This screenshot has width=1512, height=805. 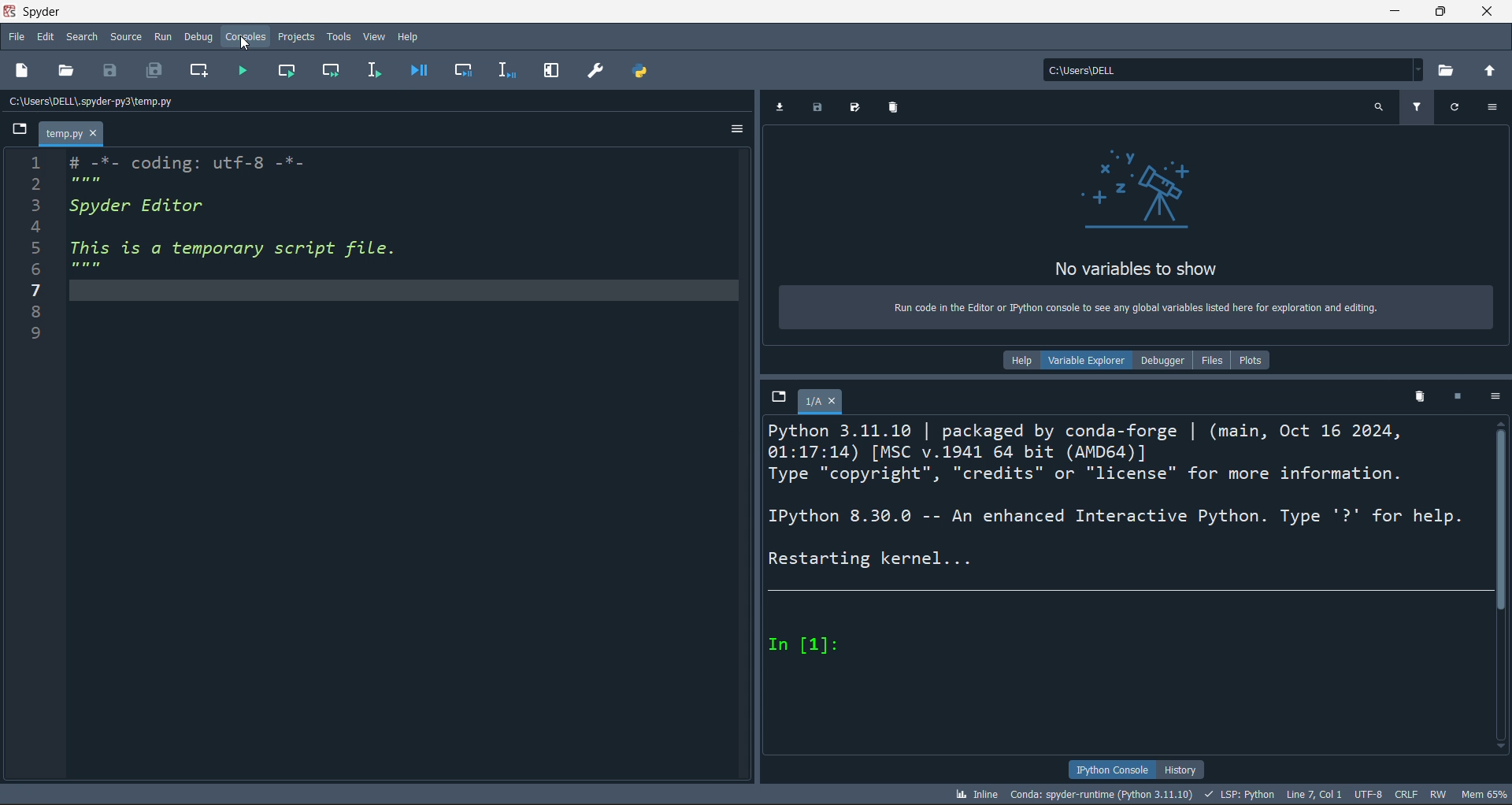 I want to click on open file, so click(x=70, y=72).